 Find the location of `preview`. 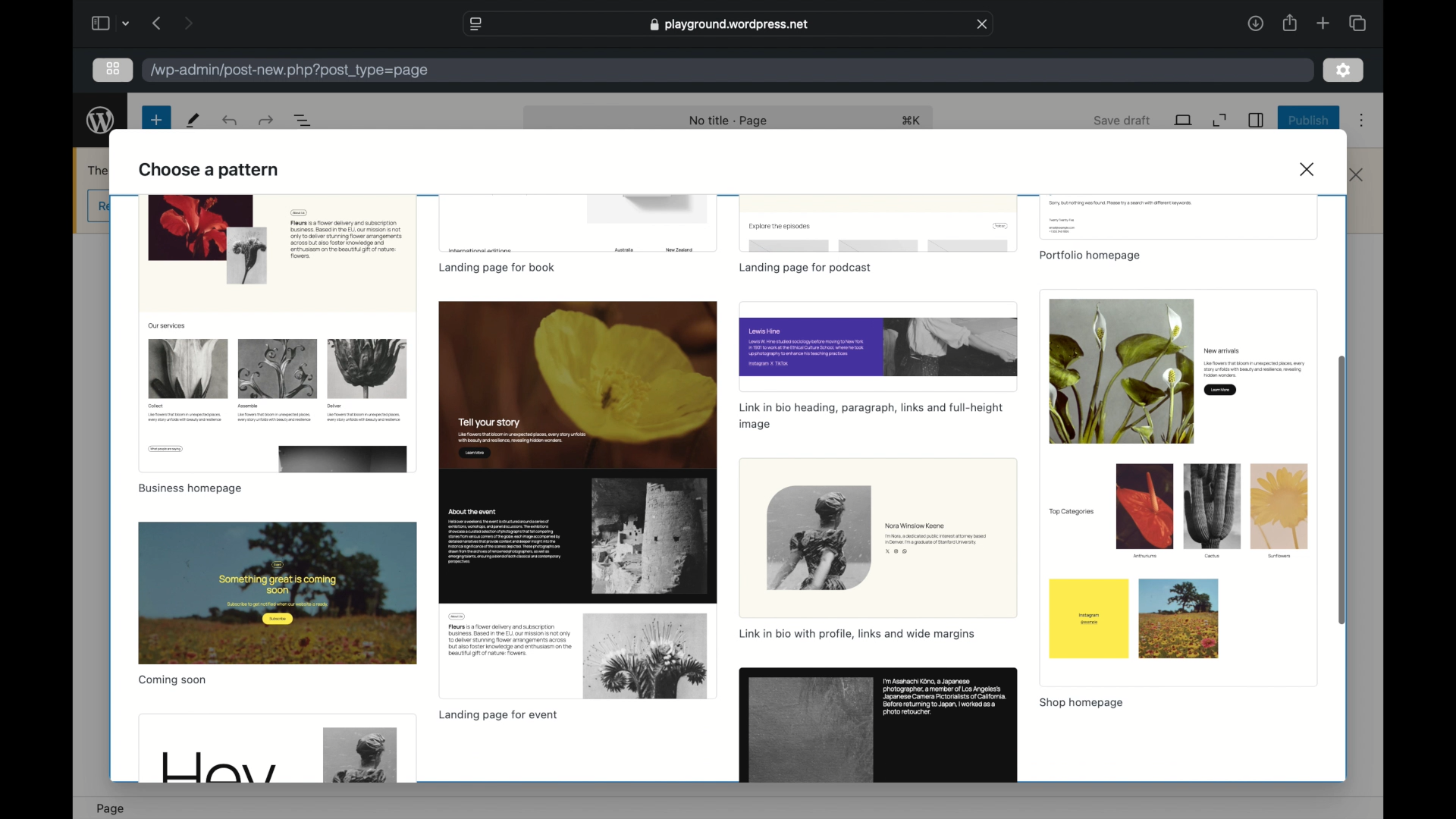

preview is located at coordinates (1178, 217).